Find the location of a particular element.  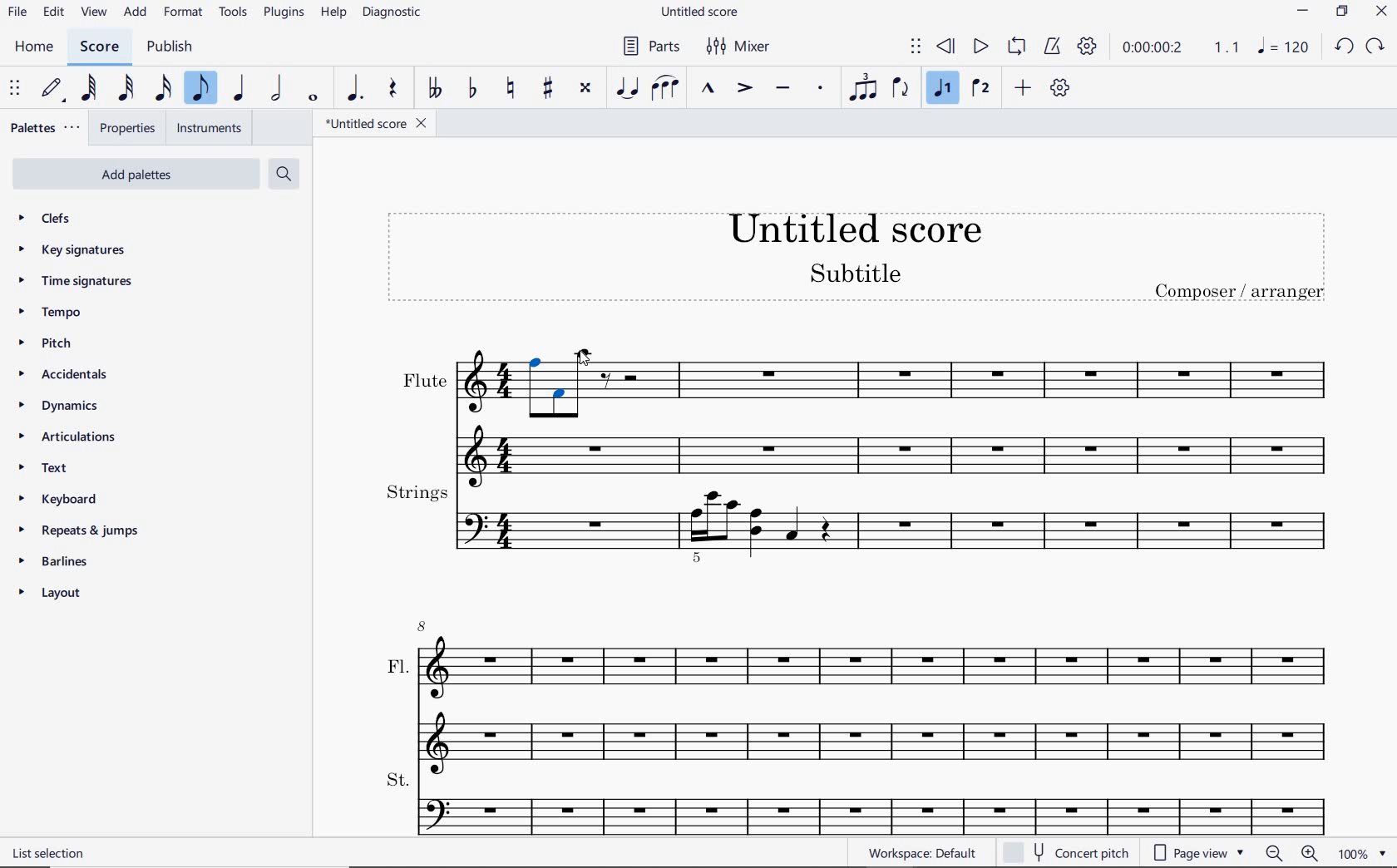

REWIND is located at coordinates (943, 47).